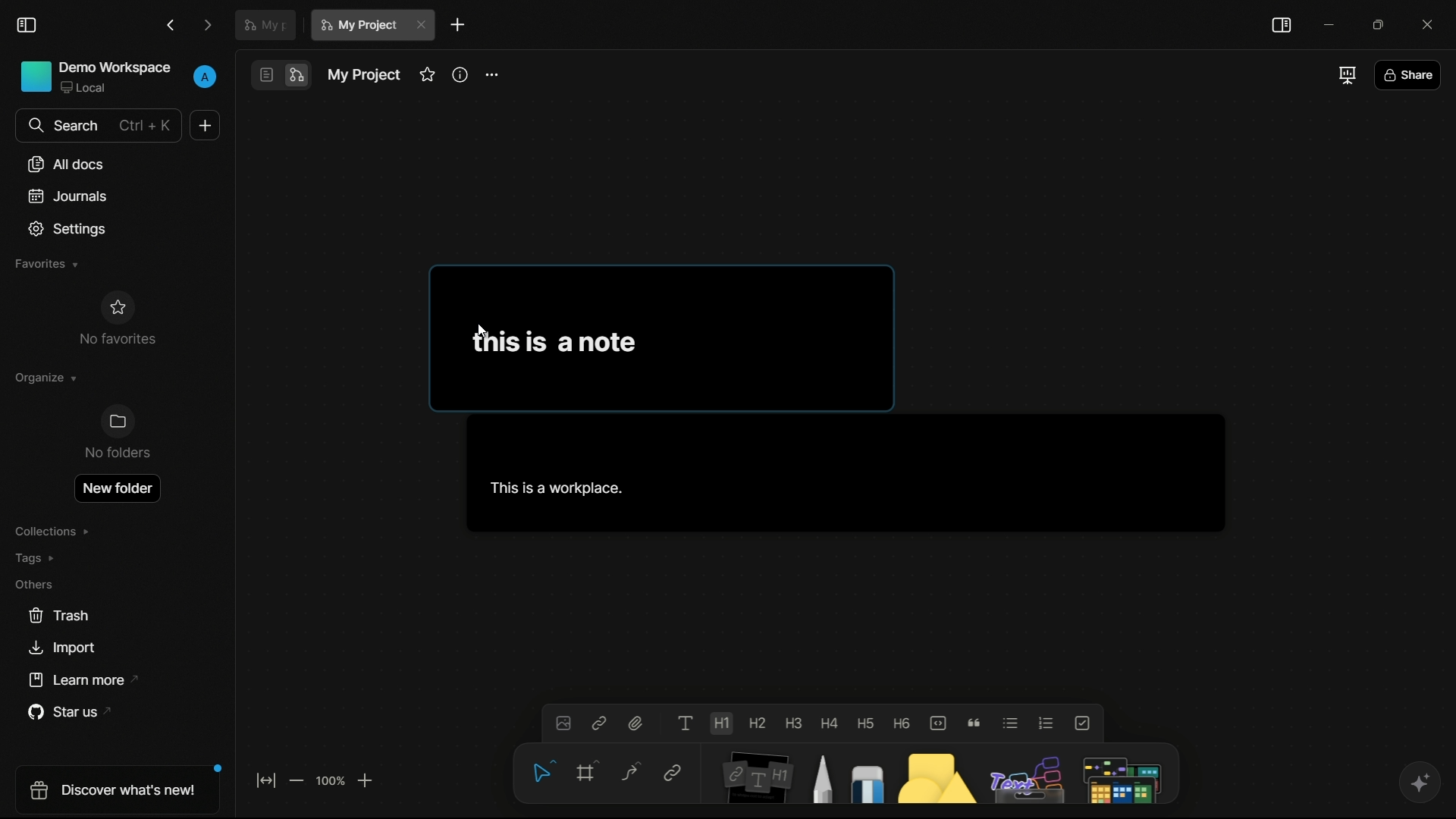 The width and height of the screenshot is (1456, 819). I want to click on frame, so click(584, 775).